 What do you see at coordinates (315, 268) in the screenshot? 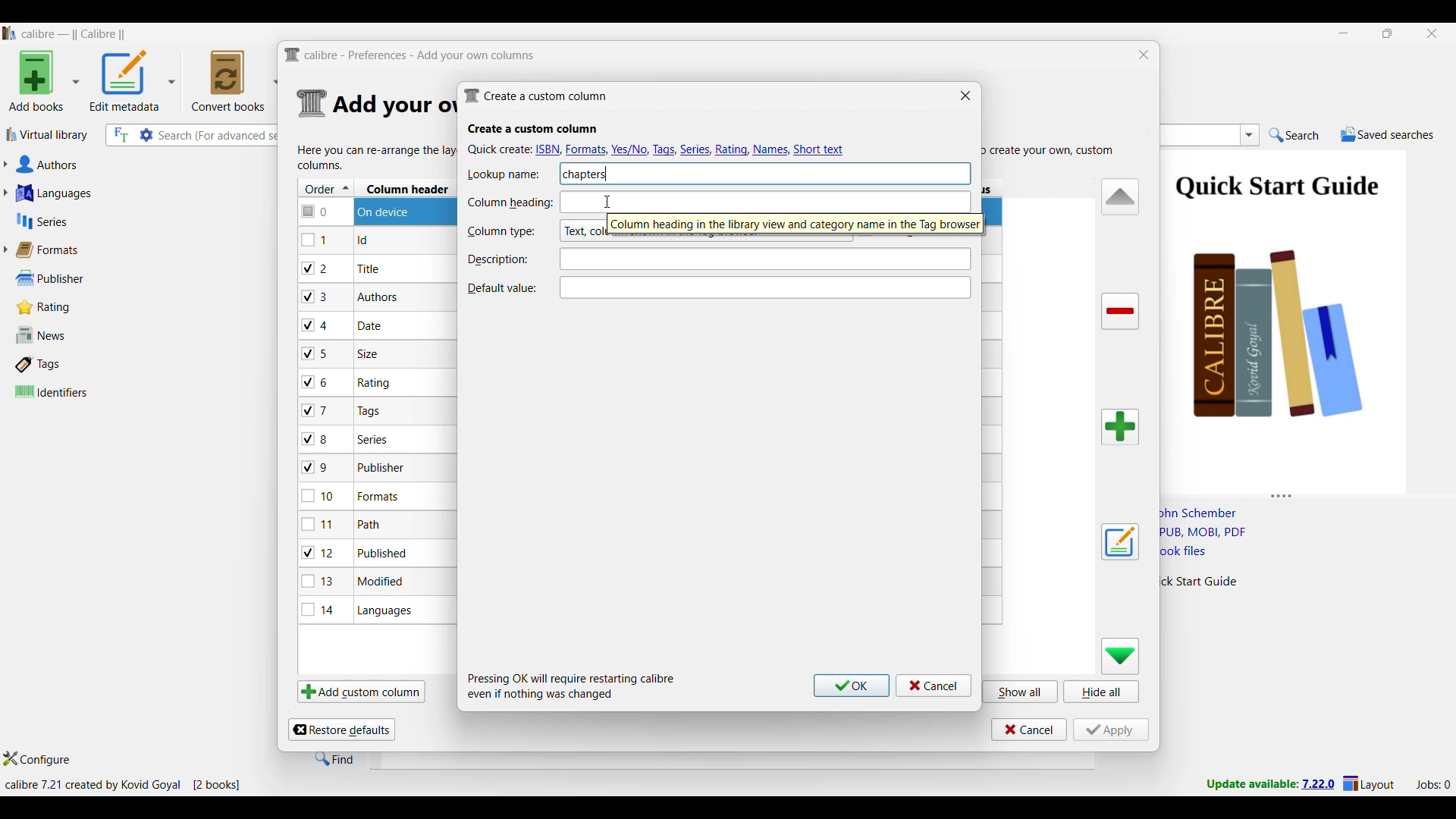
I see `checkbox - 2` at bounding box center [315, 268].